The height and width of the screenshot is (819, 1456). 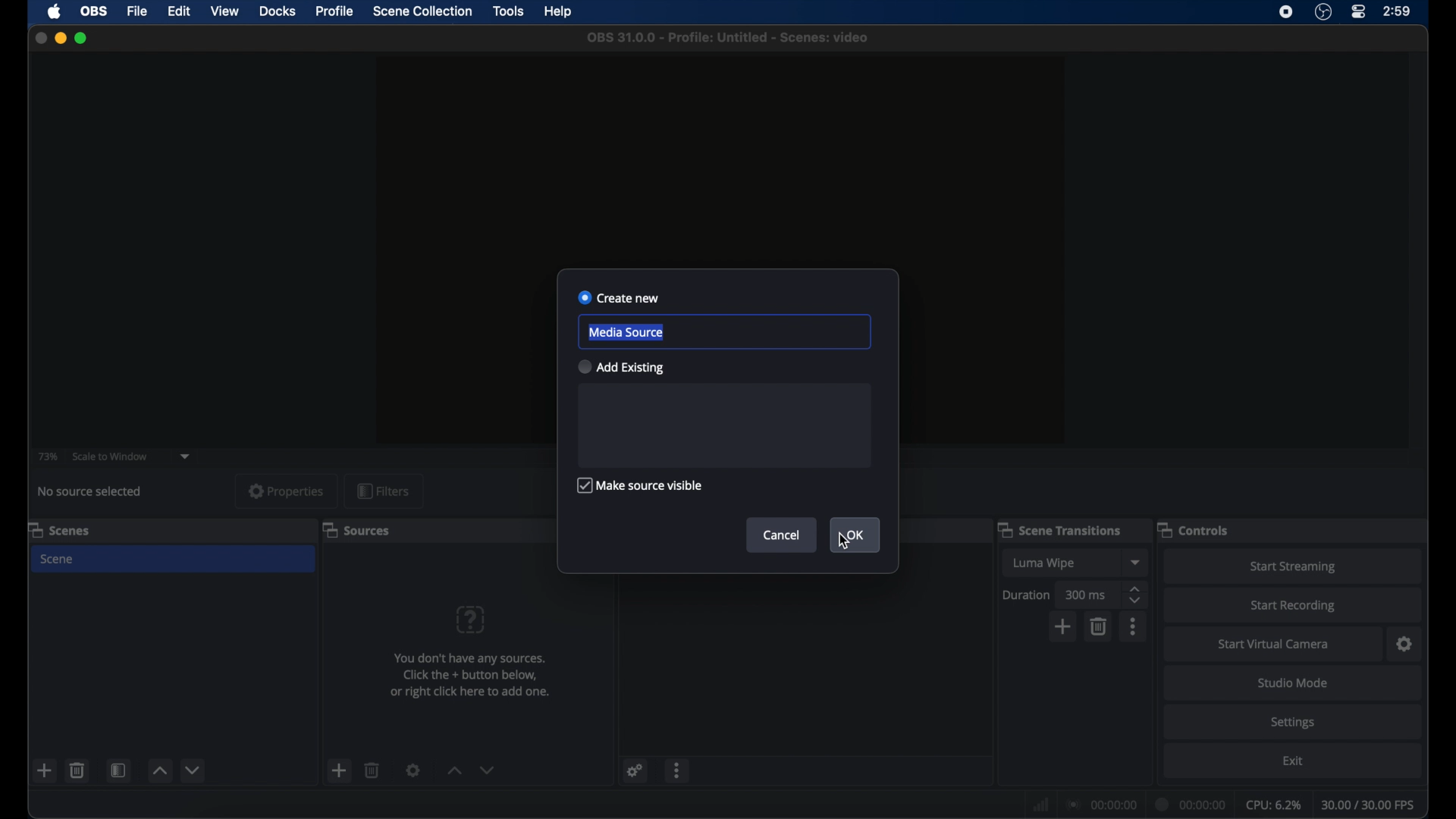 What do you see at coordinates (58, 560) in the screenshot?
I see `scene` at bounding box center [58, 560].